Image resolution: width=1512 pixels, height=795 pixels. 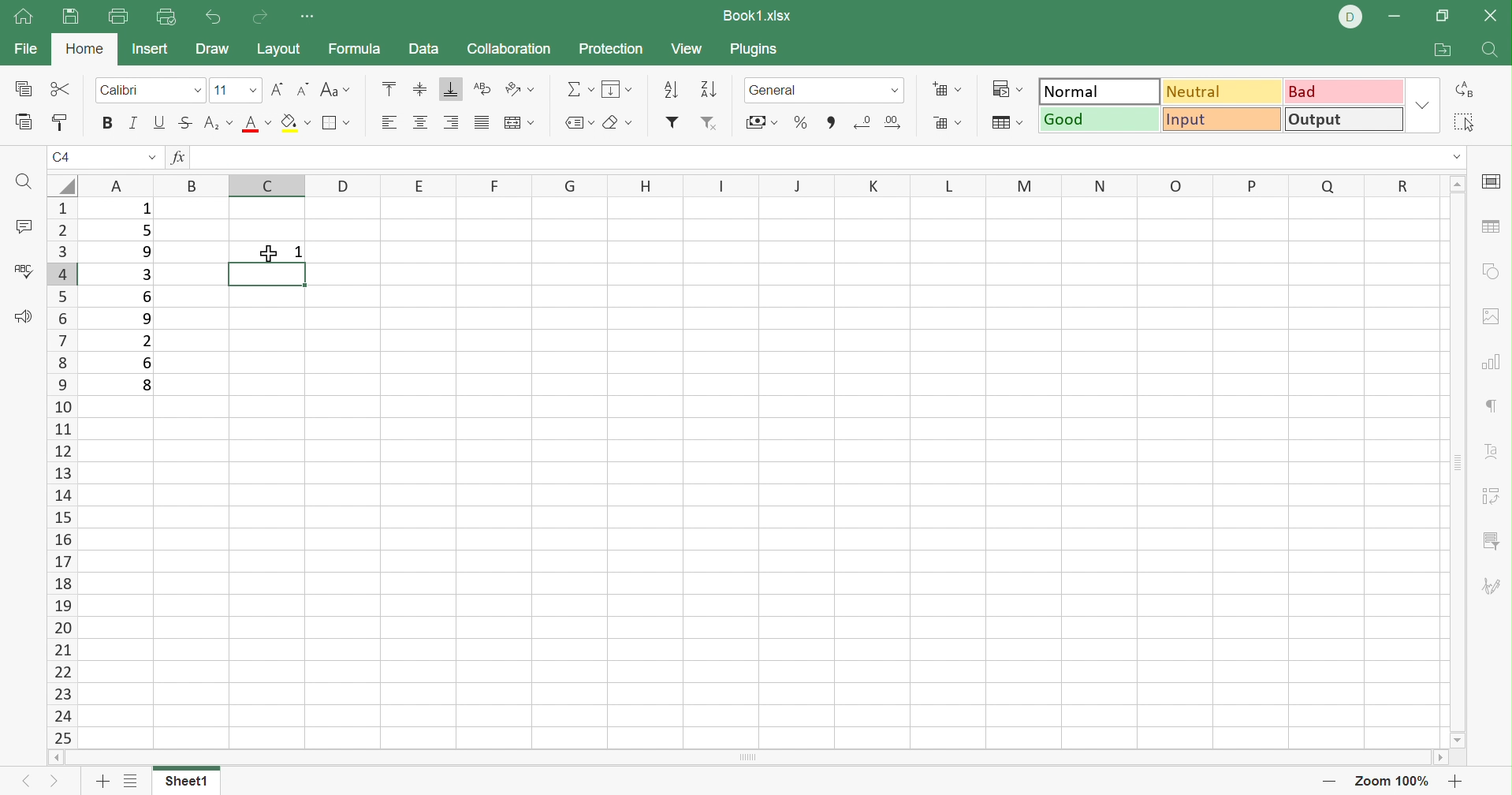 What do you see at coordinates (688, 49) in the screenshot?
I see `View` at bounding box center [688, 49].